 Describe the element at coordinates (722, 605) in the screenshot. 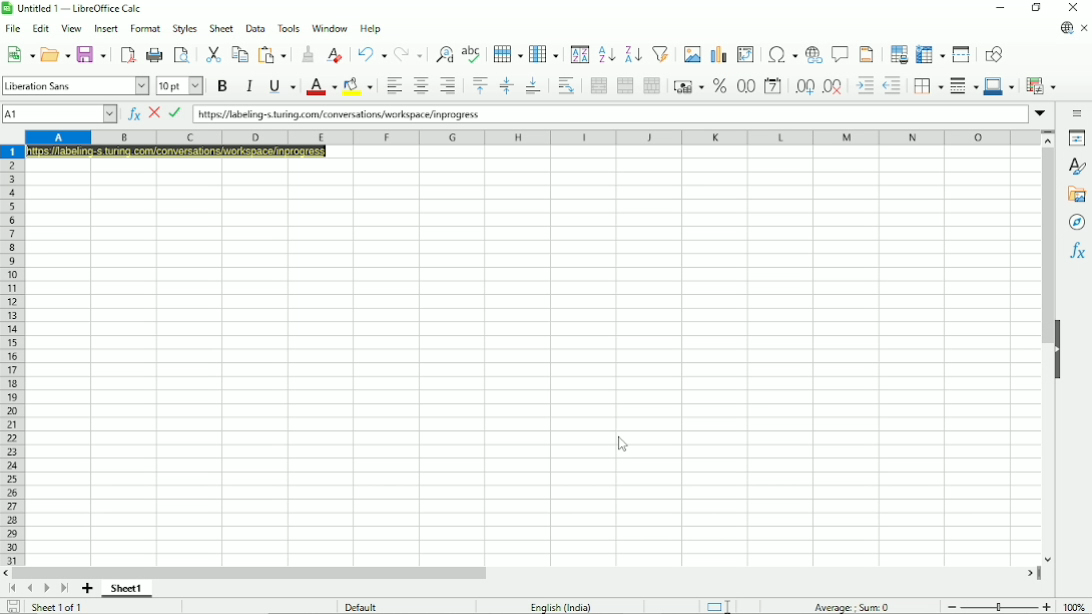

I see `Standard selection` at that location.